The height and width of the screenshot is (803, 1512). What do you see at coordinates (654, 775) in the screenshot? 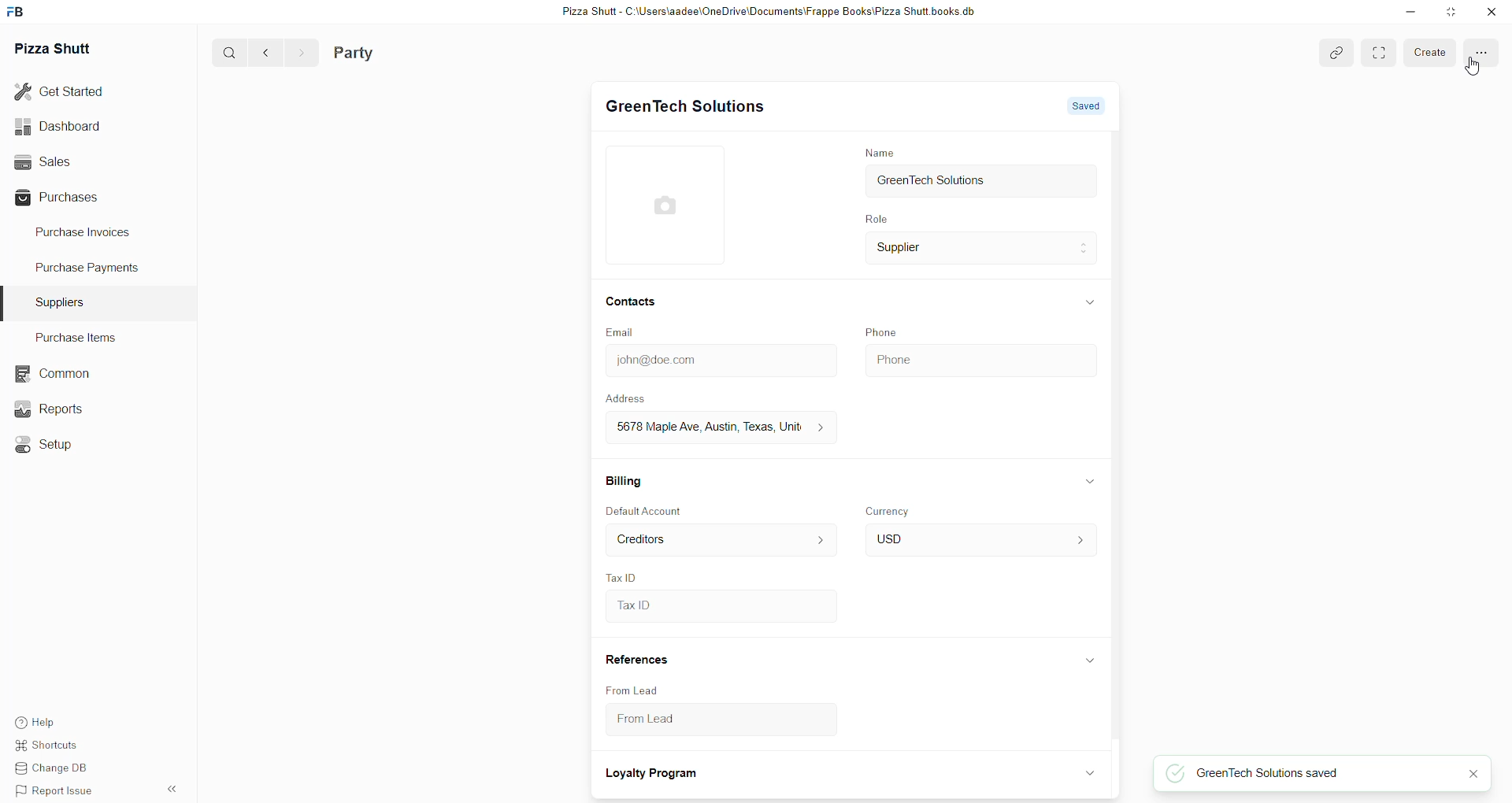
I see `Loyalty Program` at bounding box center [654, 775].